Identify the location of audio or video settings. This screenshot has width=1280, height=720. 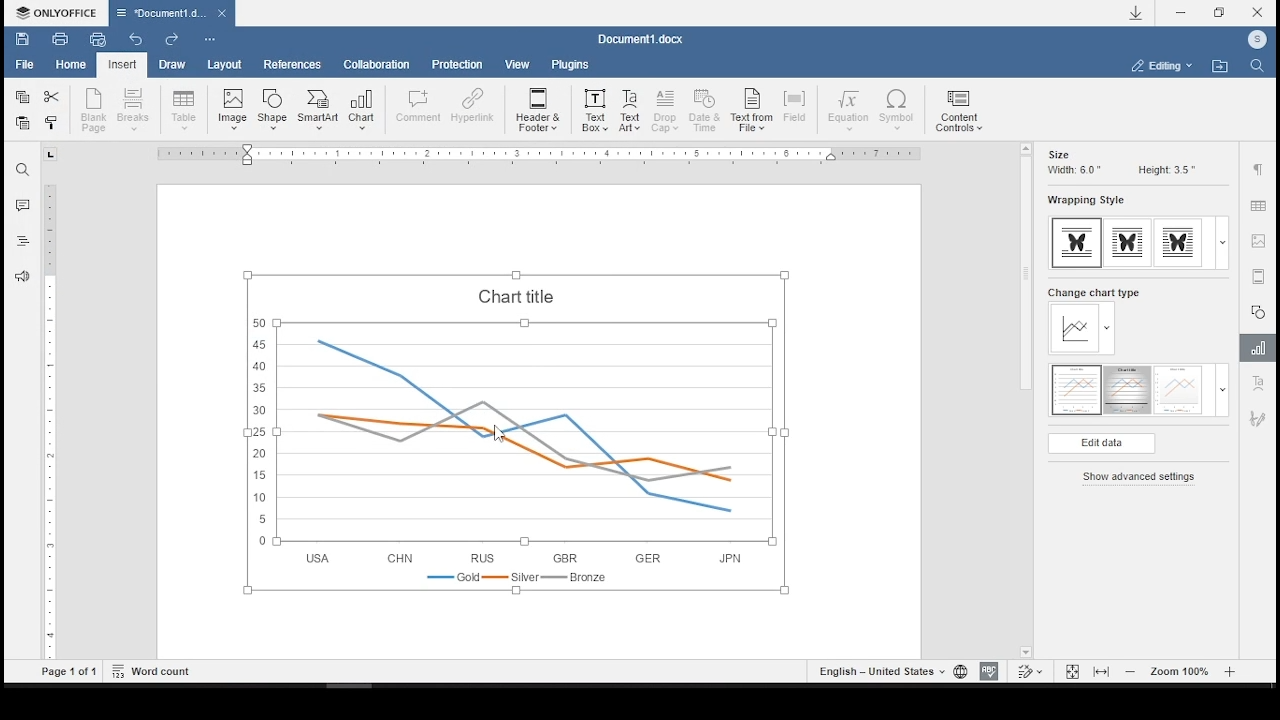
(1258, 276).